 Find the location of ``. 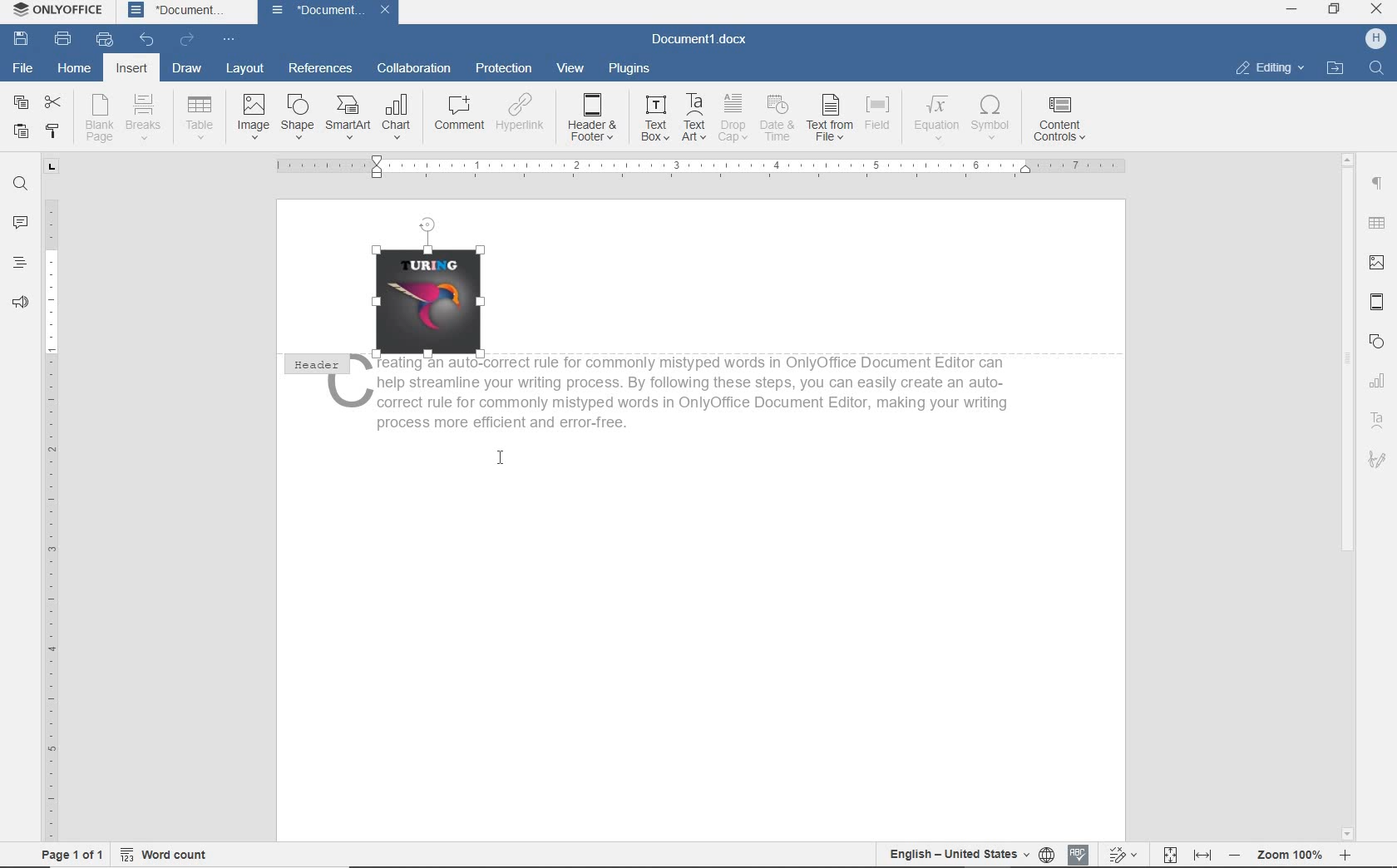

 is located at coordinates (655, 118).